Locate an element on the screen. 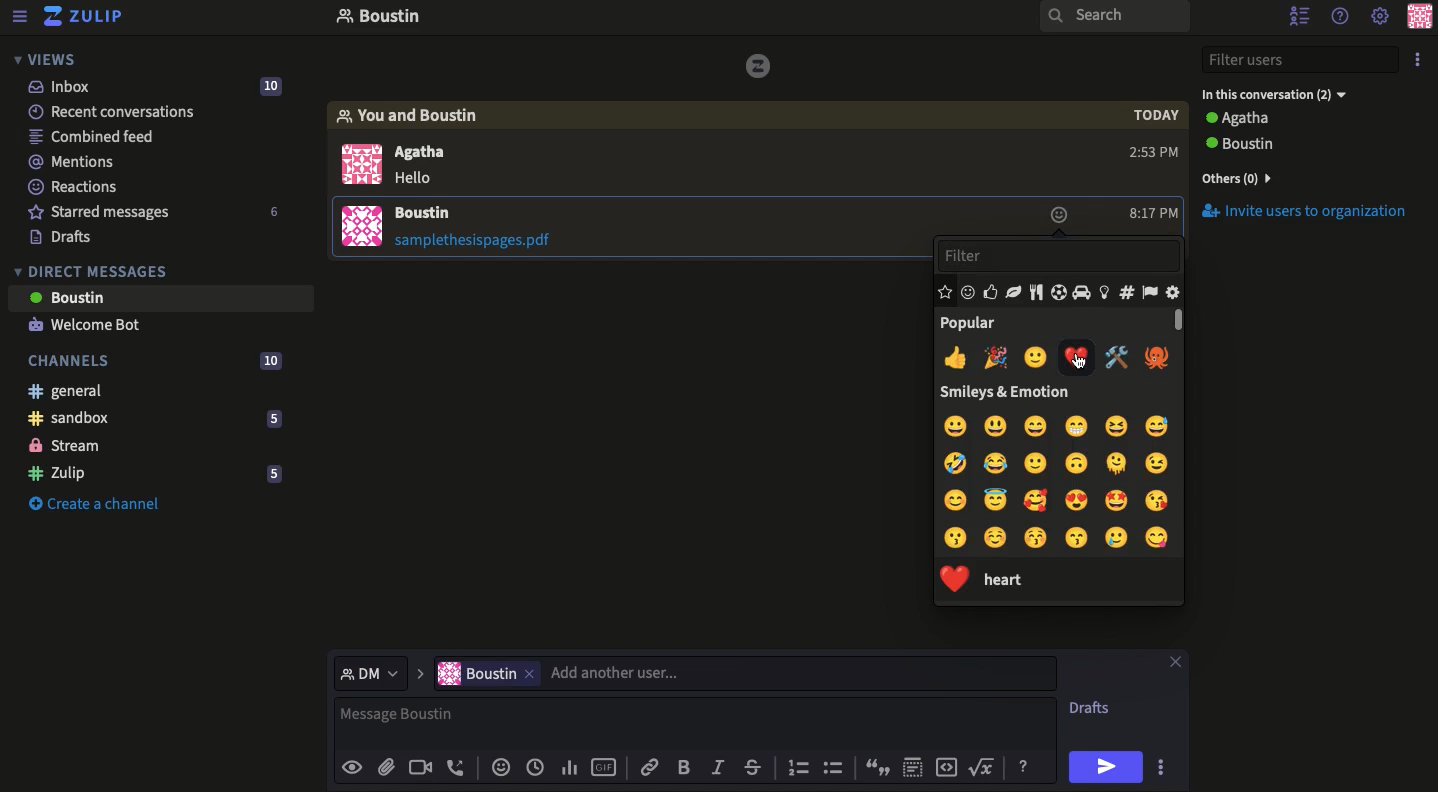 The height and width of the screenshot is (792, 1438). star struck is located at coordinates (1118, 500).